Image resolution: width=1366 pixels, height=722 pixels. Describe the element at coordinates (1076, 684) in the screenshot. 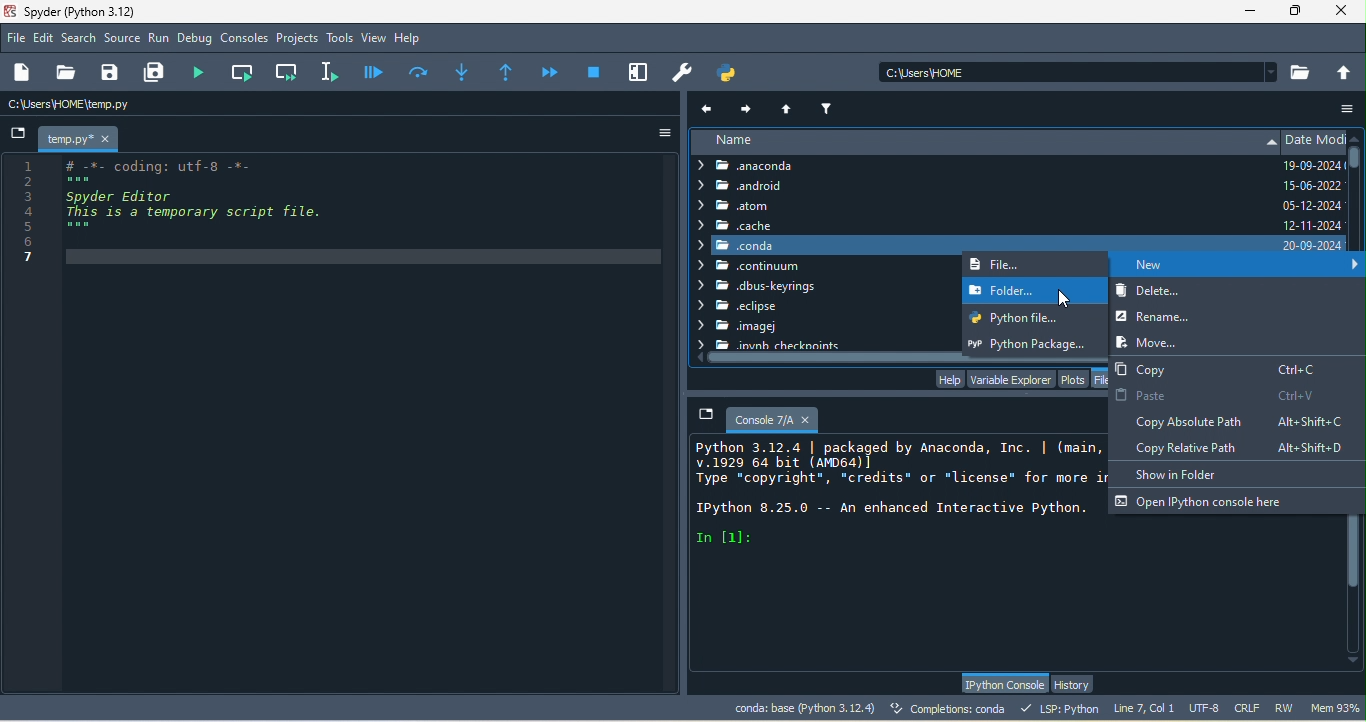

I see `history` at that location.